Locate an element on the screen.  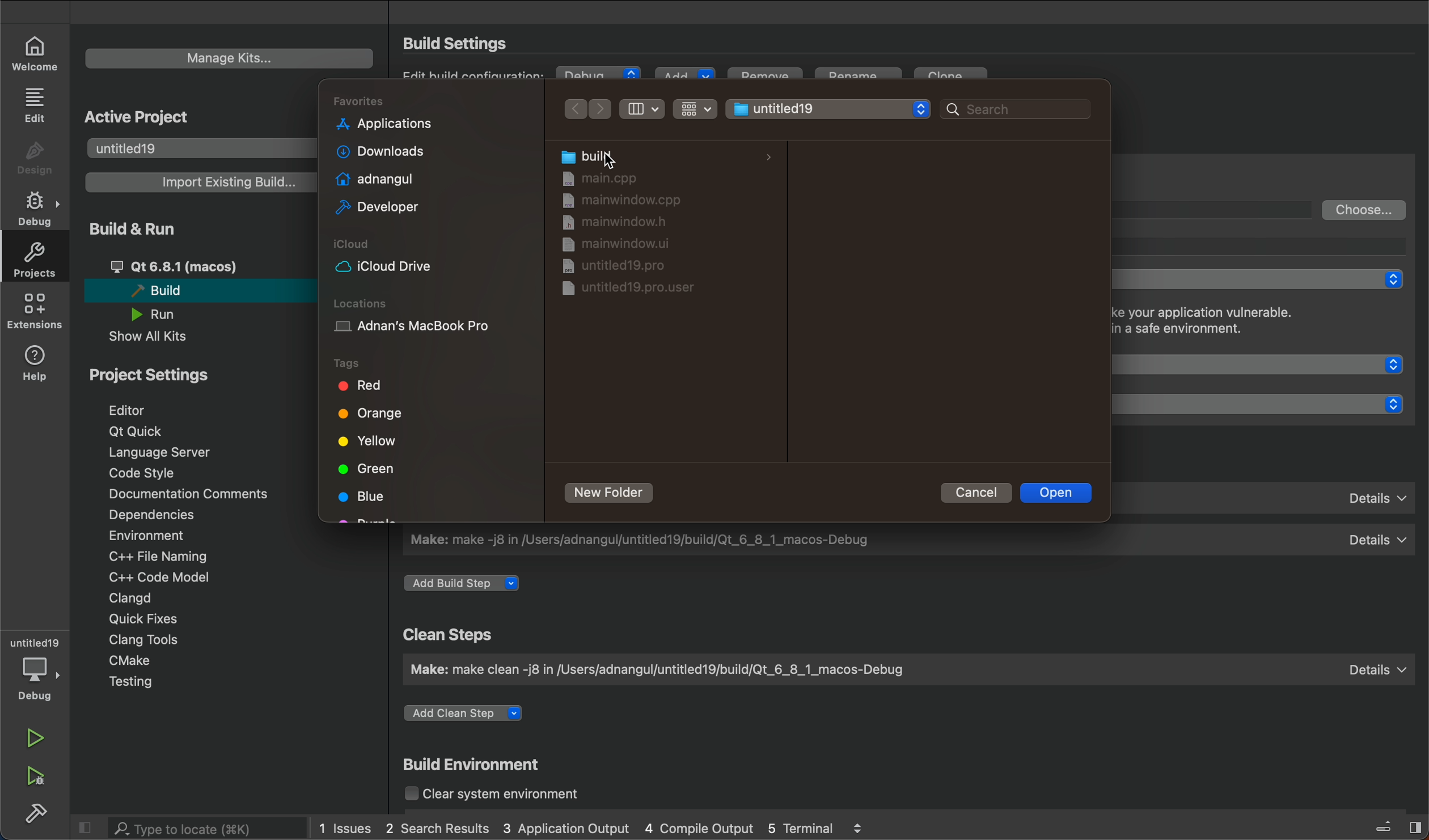
quick fixes is located at coordinates (139, 618).